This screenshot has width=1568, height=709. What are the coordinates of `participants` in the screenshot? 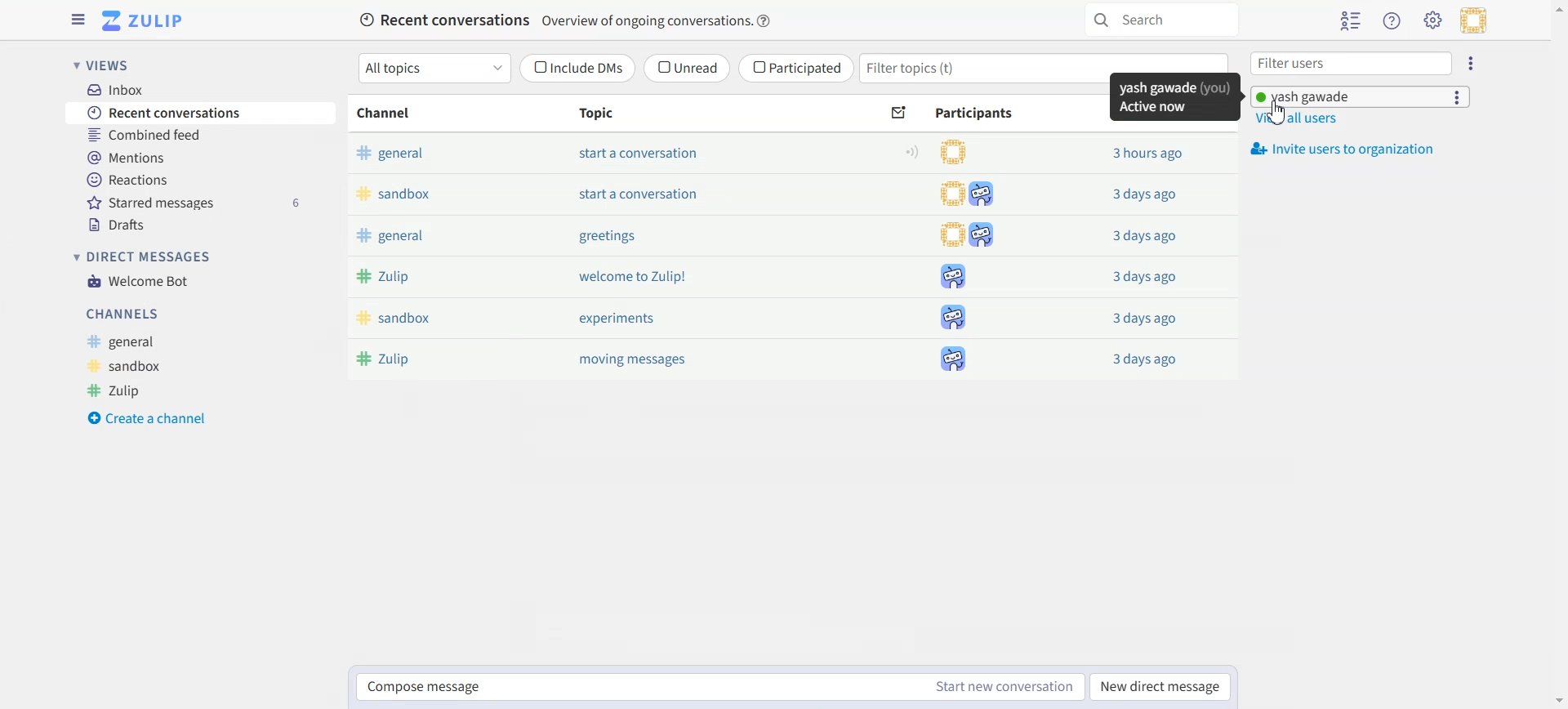 It's located at (952, 276).